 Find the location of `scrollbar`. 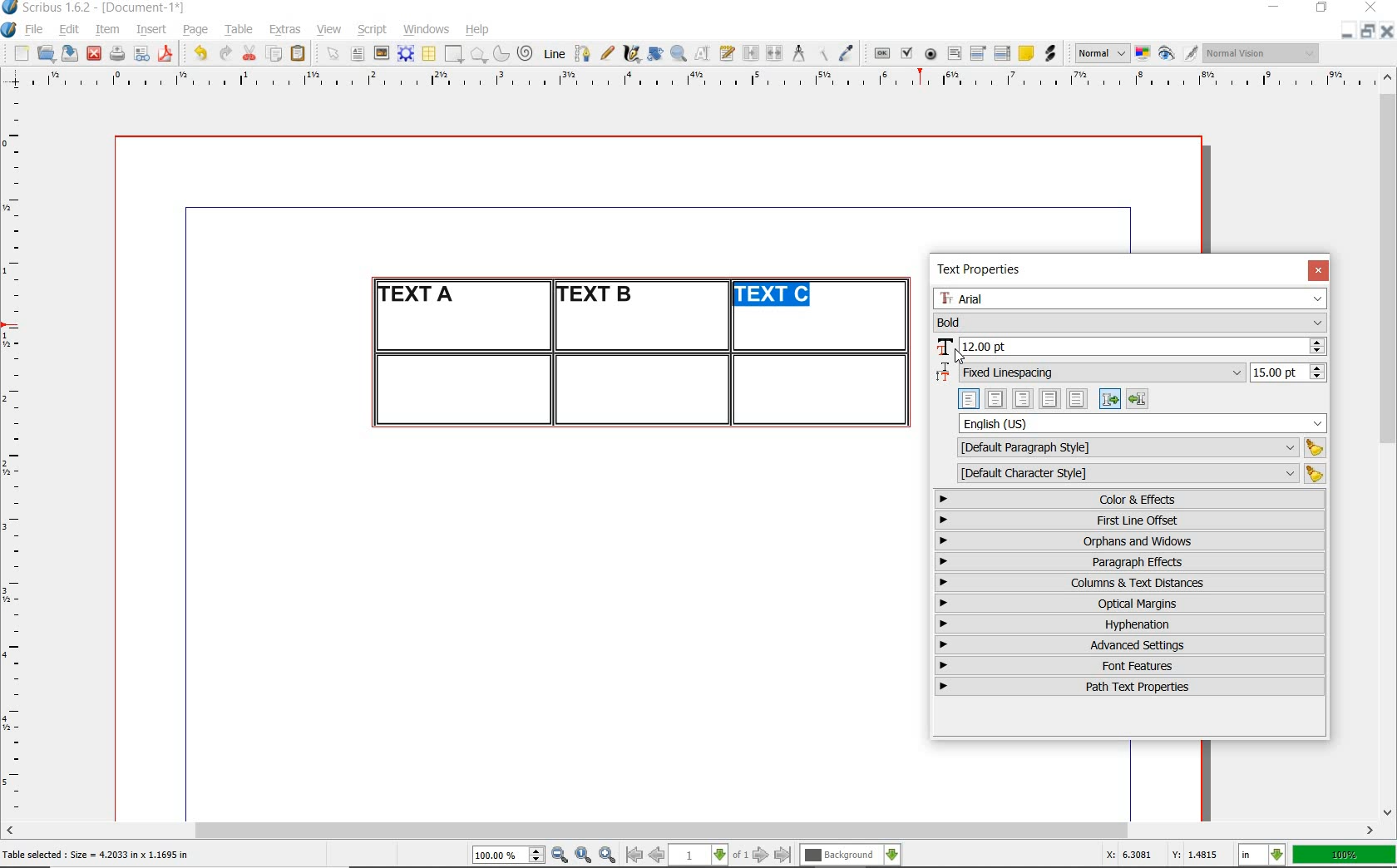

scrollbar is located at coordinates (1389, 443).